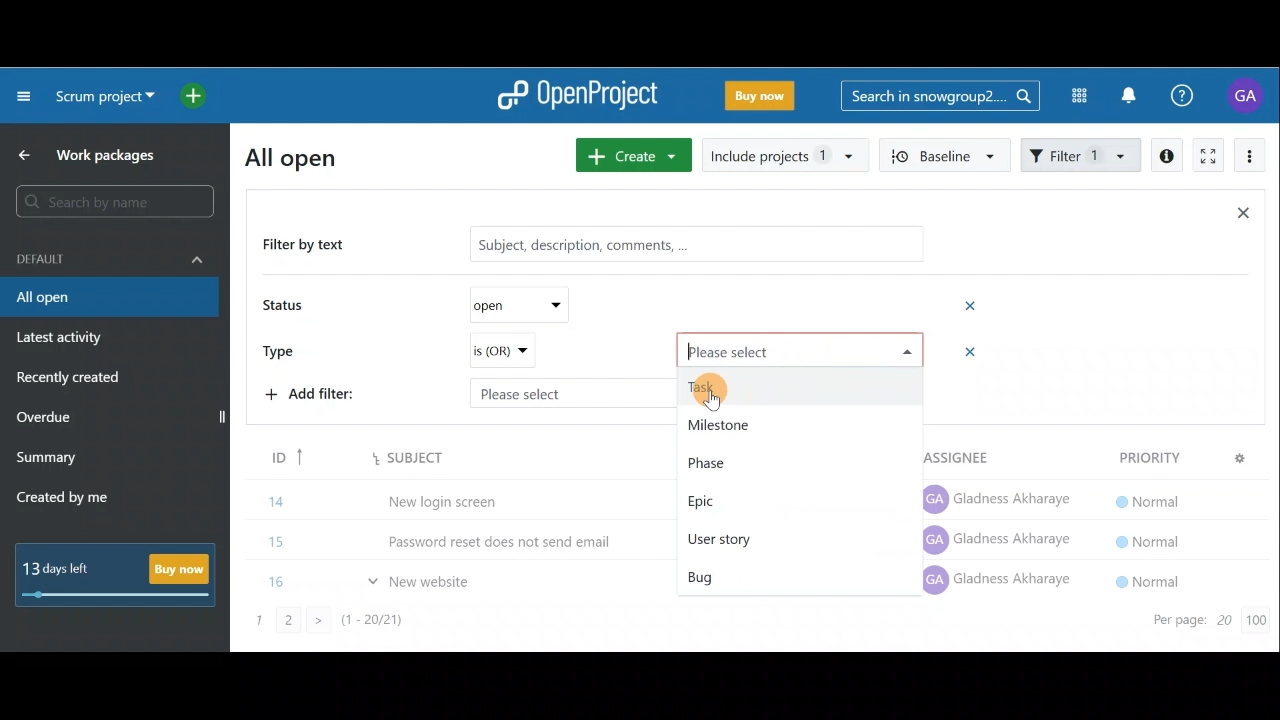 The image size is (1280, 720). What do you see at coordinates (963, 353) in the screenshot?
I see `Remove` at bounding box center [963, 353].